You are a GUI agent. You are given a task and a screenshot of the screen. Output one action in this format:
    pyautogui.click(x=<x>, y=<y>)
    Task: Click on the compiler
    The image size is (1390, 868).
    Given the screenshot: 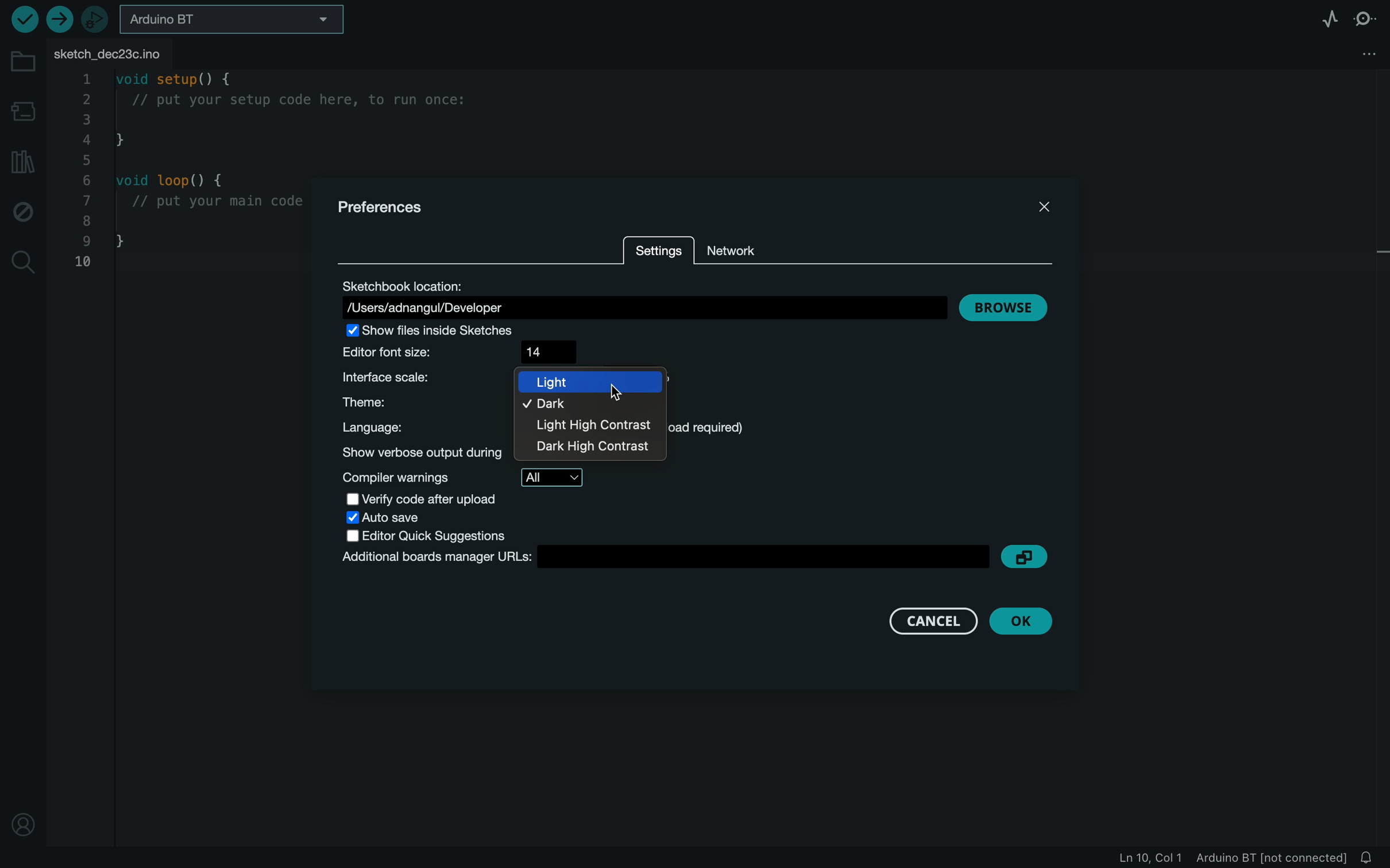 What is the action you would take?
    pyautogui.click(x=469, y=478)
    